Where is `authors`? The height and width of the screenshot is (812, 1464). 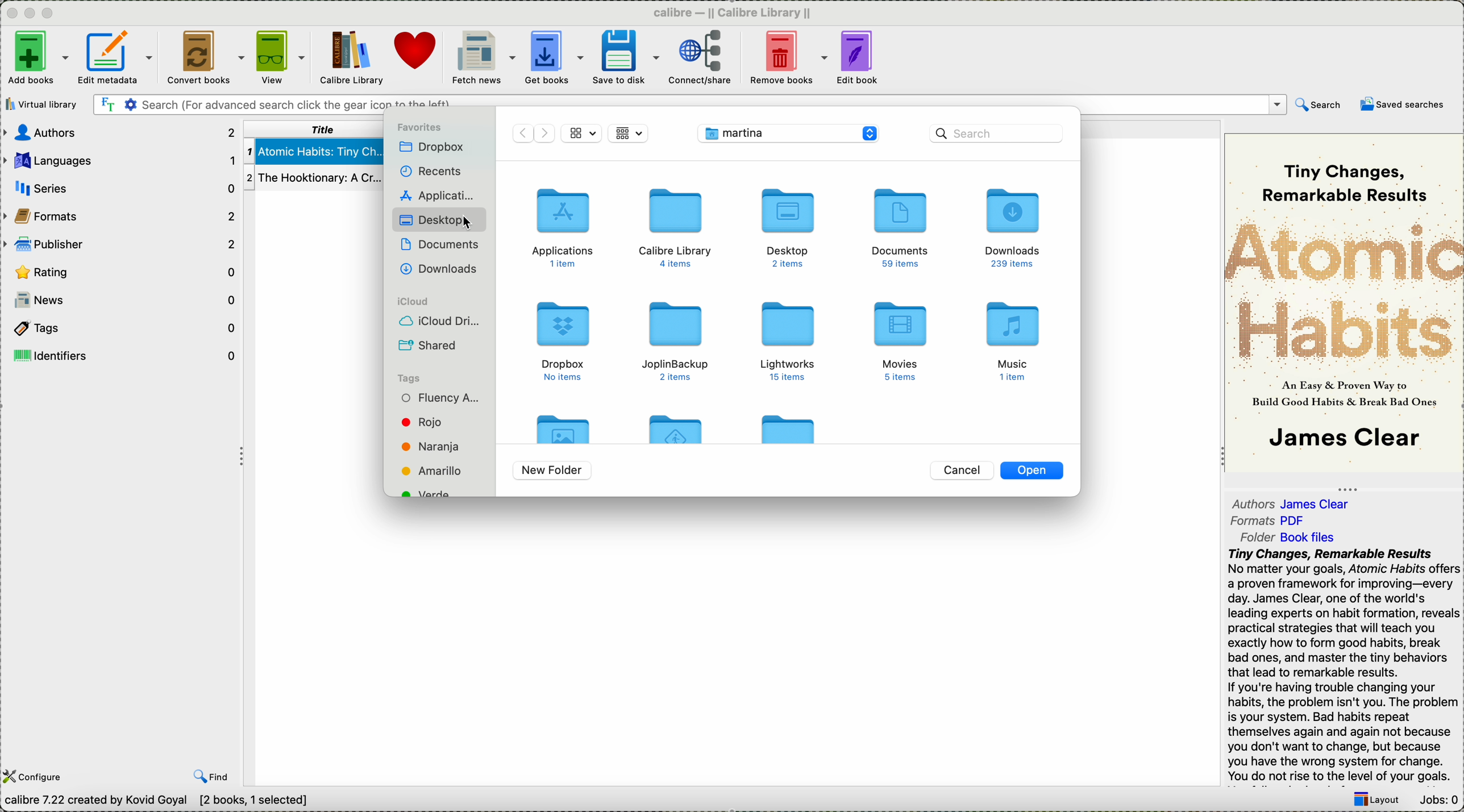
authors is located at coordinates (1295, 504).